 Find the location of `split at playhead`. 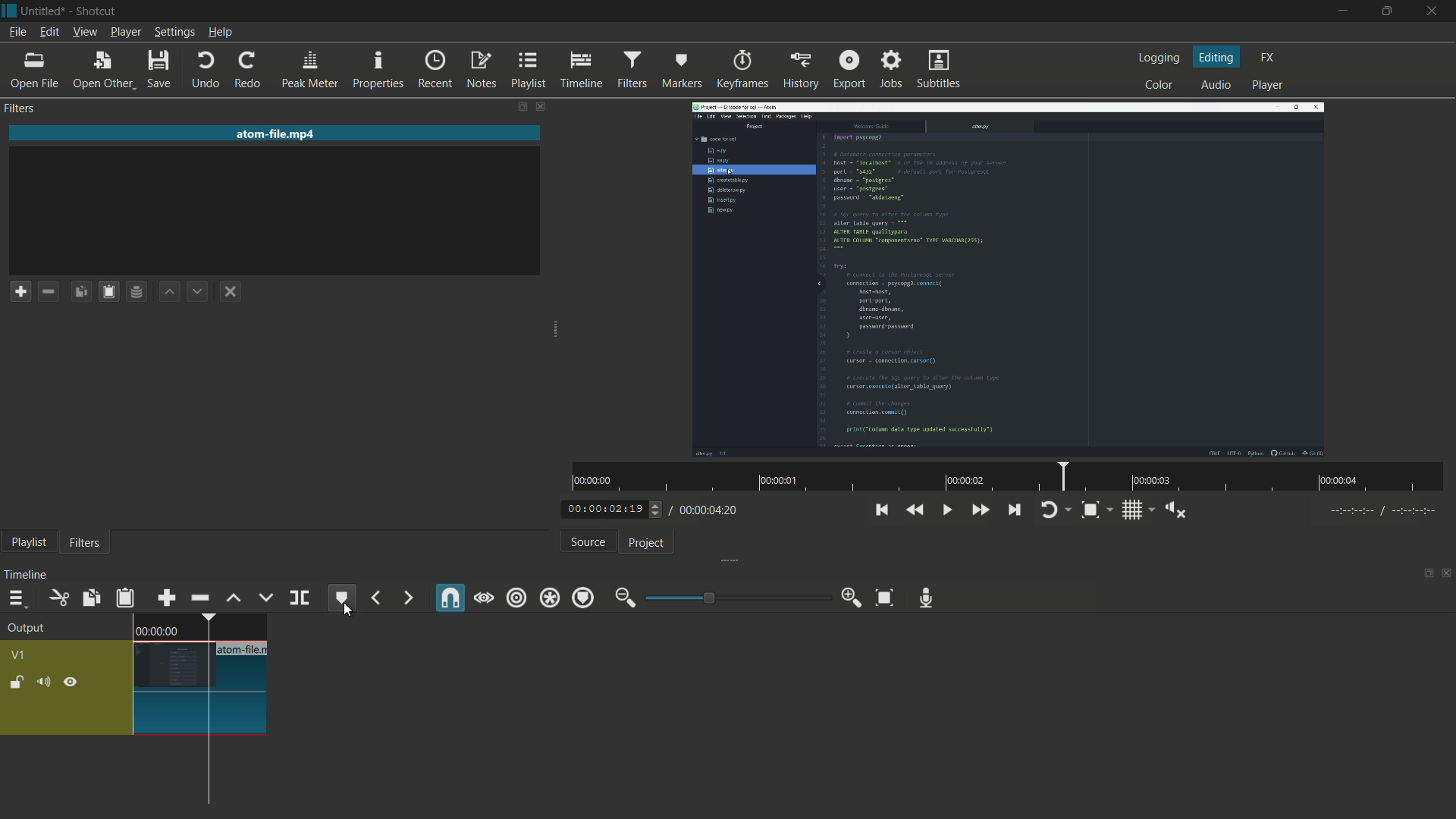

split at playhead is located at coordinates (300, 598).